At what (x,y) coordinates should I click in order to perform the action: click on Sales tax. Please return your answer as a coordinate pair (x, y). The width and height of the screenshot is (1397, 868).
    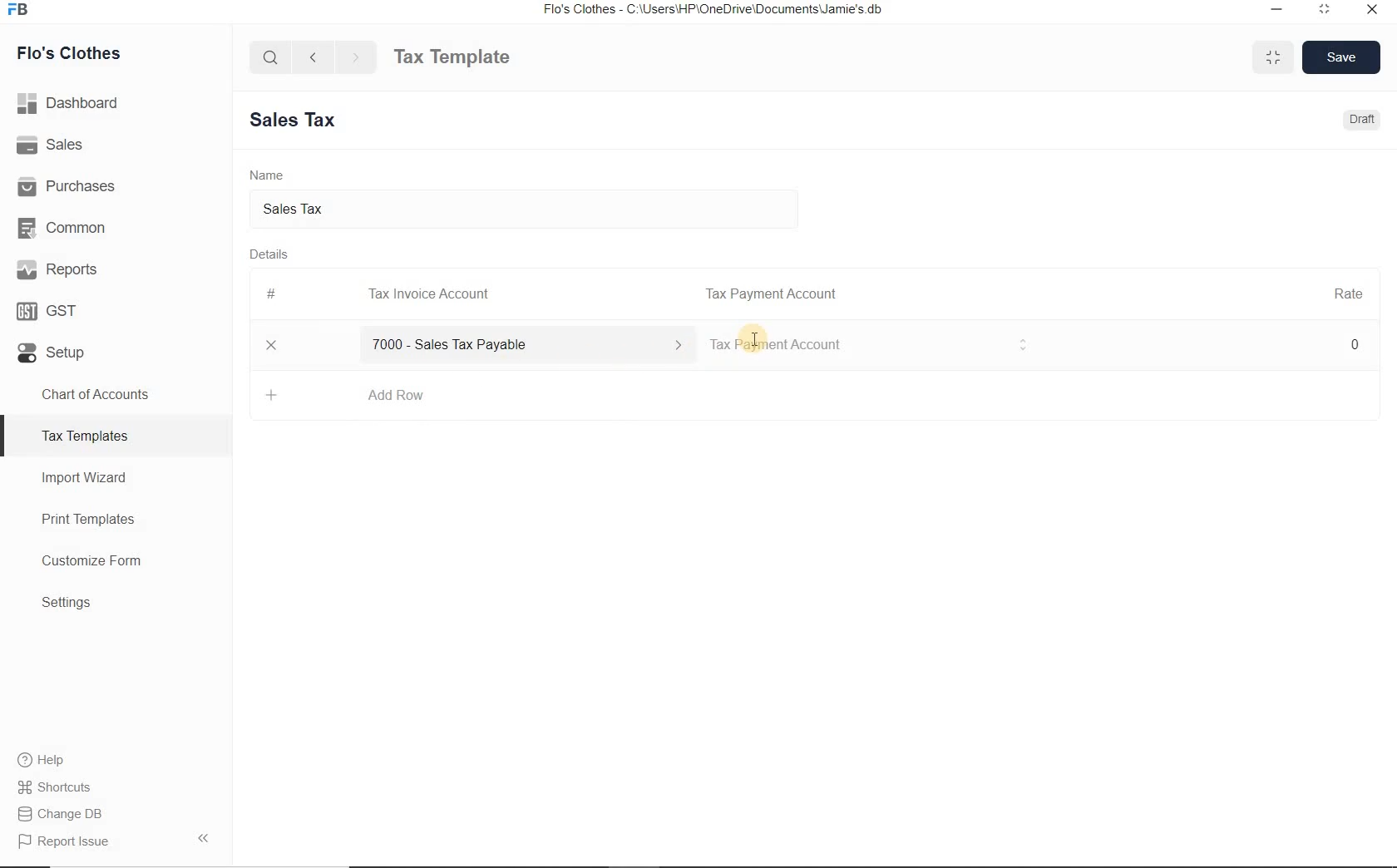
    Looking at the image, I should click on (531, 215).